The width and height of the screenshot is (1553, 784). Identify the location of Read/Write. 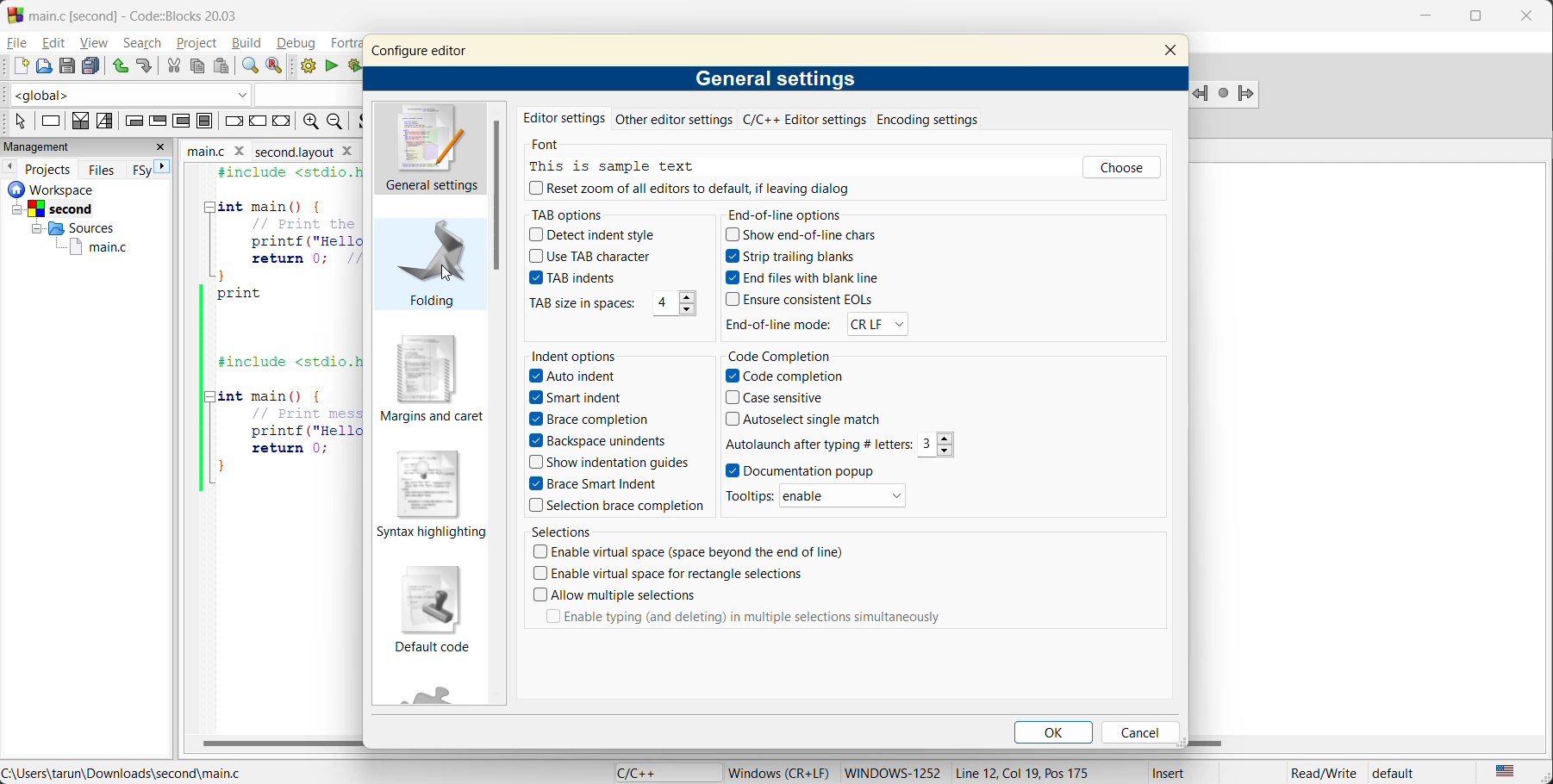
(1323, 771).